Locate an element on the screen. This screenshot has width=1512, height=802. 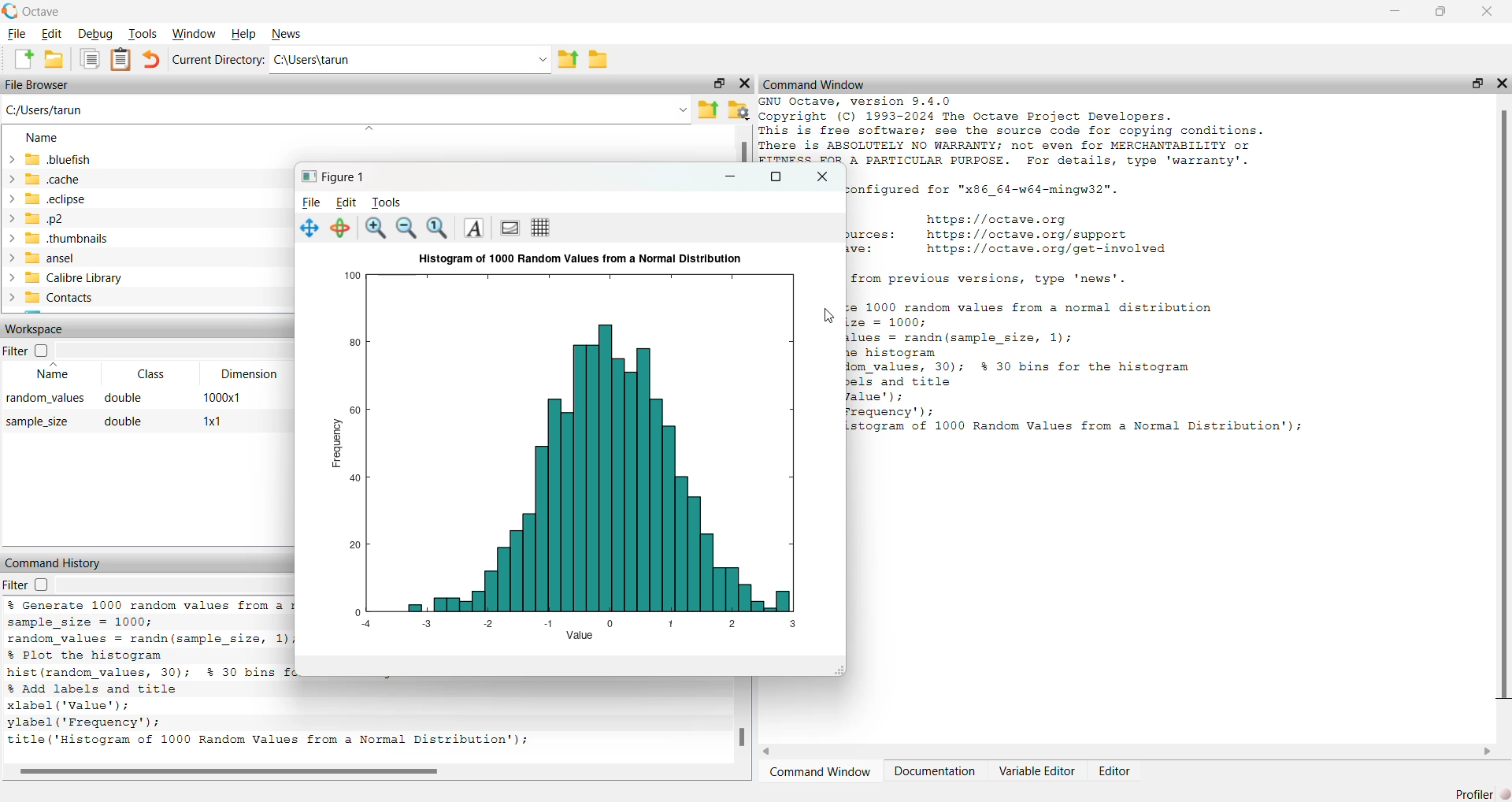
scroll left is located at coordinates (769, 751).